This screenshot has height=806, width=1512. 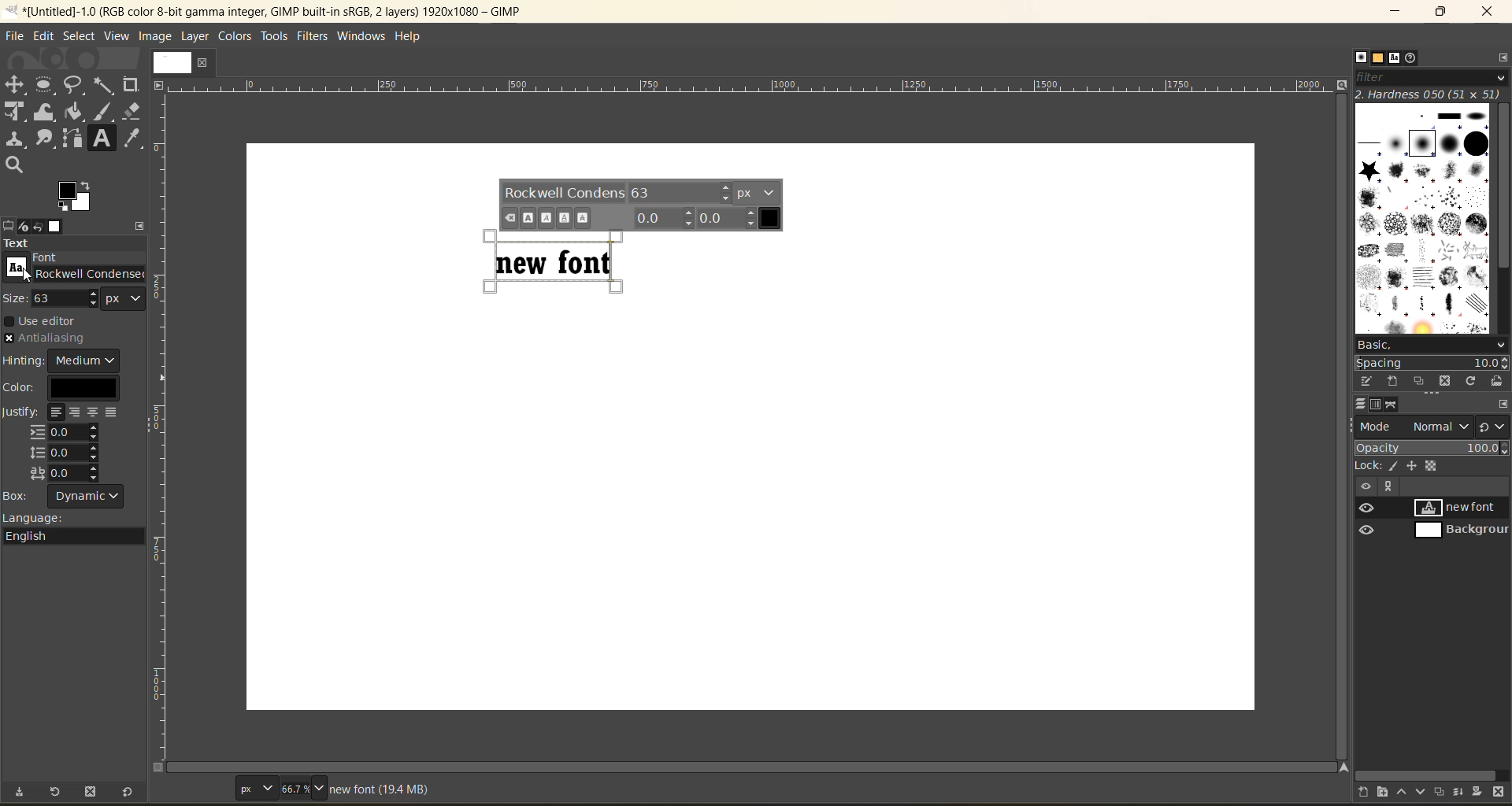 I want to click on layer, so click(x=196, y=36).